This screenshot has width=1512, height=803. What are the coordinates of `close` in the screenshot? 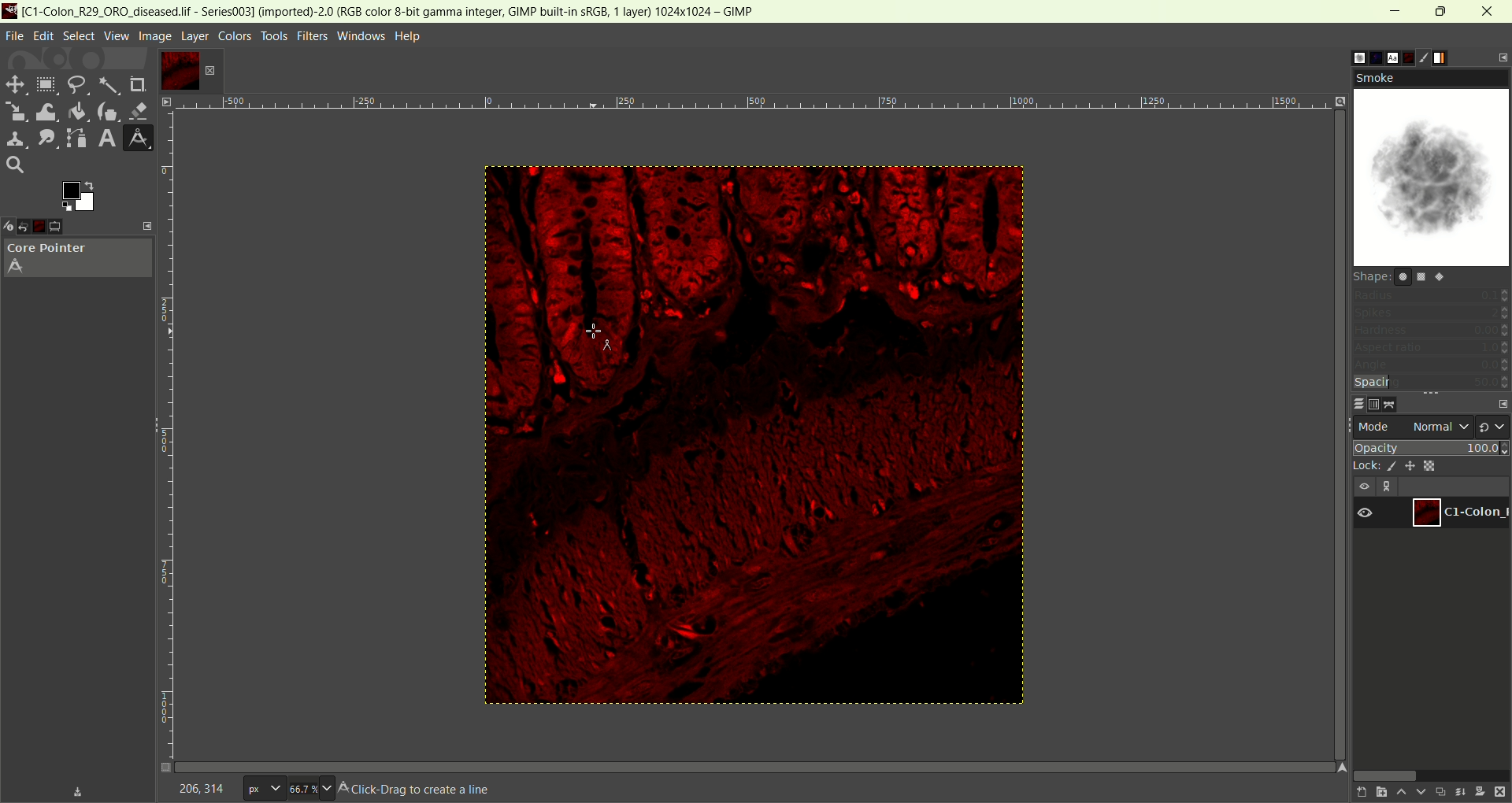 It's located at (1489, 11).